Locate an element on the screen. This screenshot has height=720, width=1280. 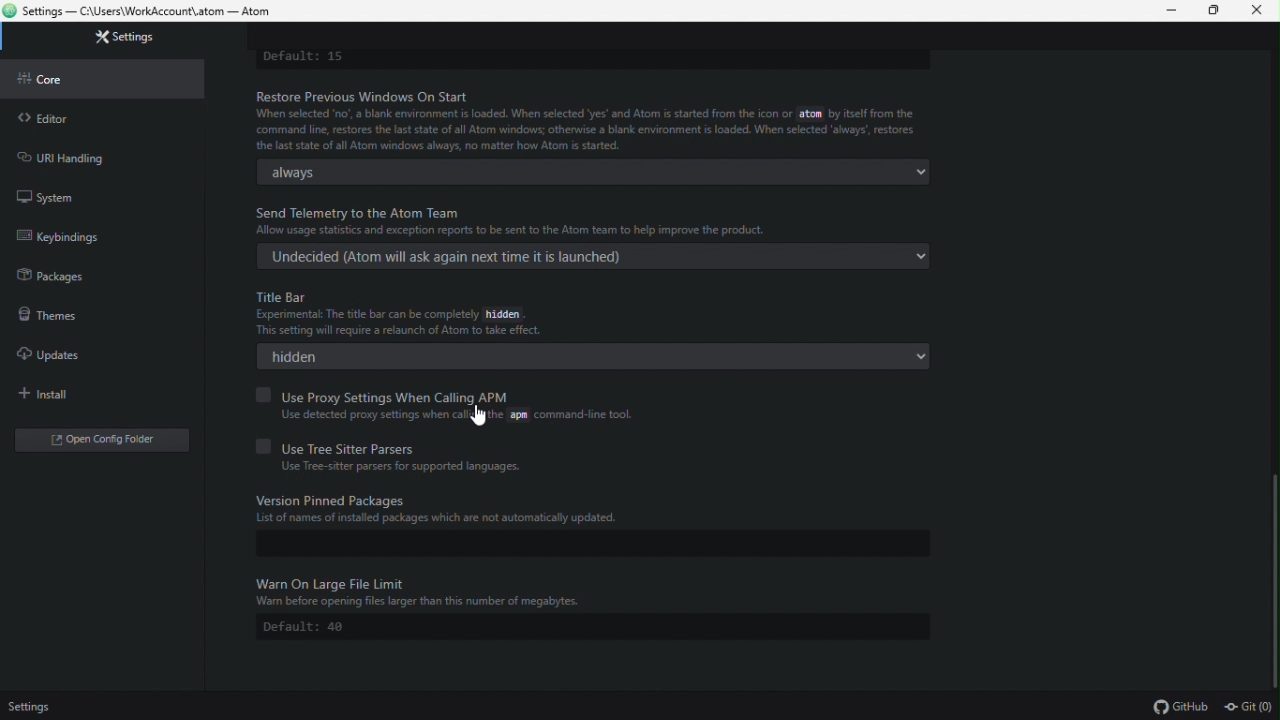
Title Bar
Experimentat The tte bar can be completely hidden
This setting will require a relaunch of Atom to take effect. is located at coordinates (431, 308).